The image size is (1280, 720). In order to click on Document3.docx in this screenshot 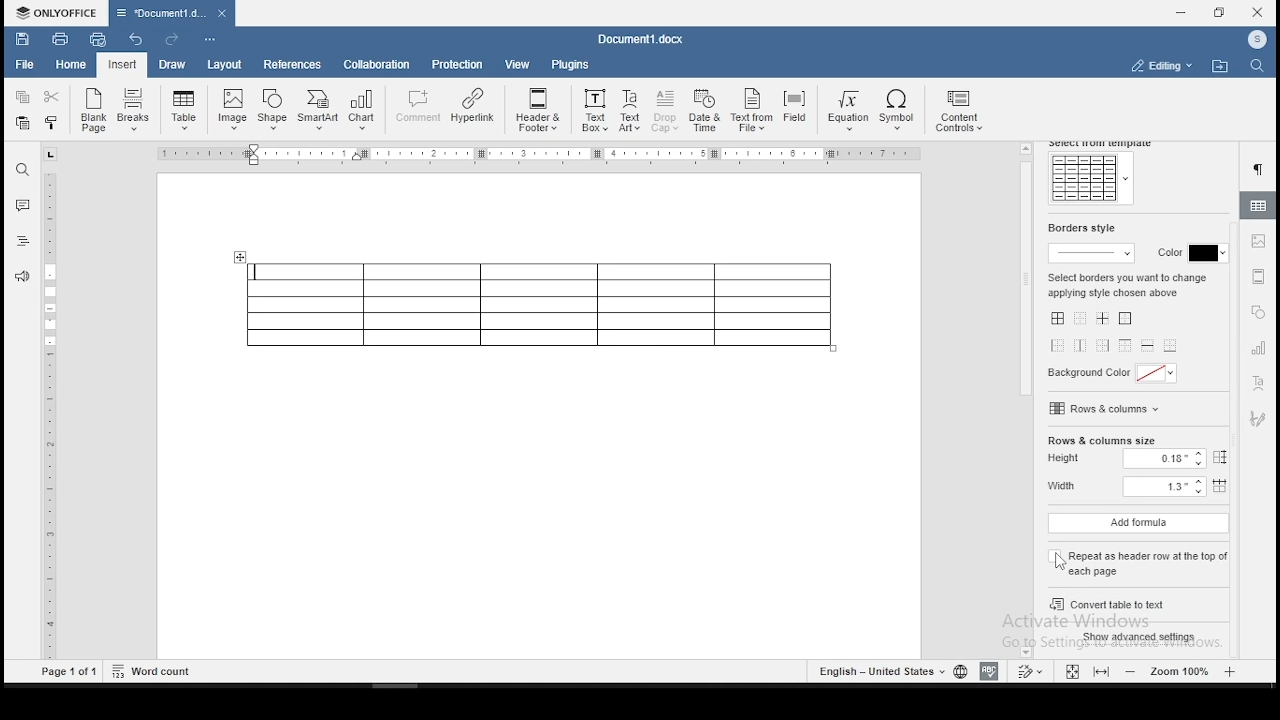, I will do `click(644, 39)`.